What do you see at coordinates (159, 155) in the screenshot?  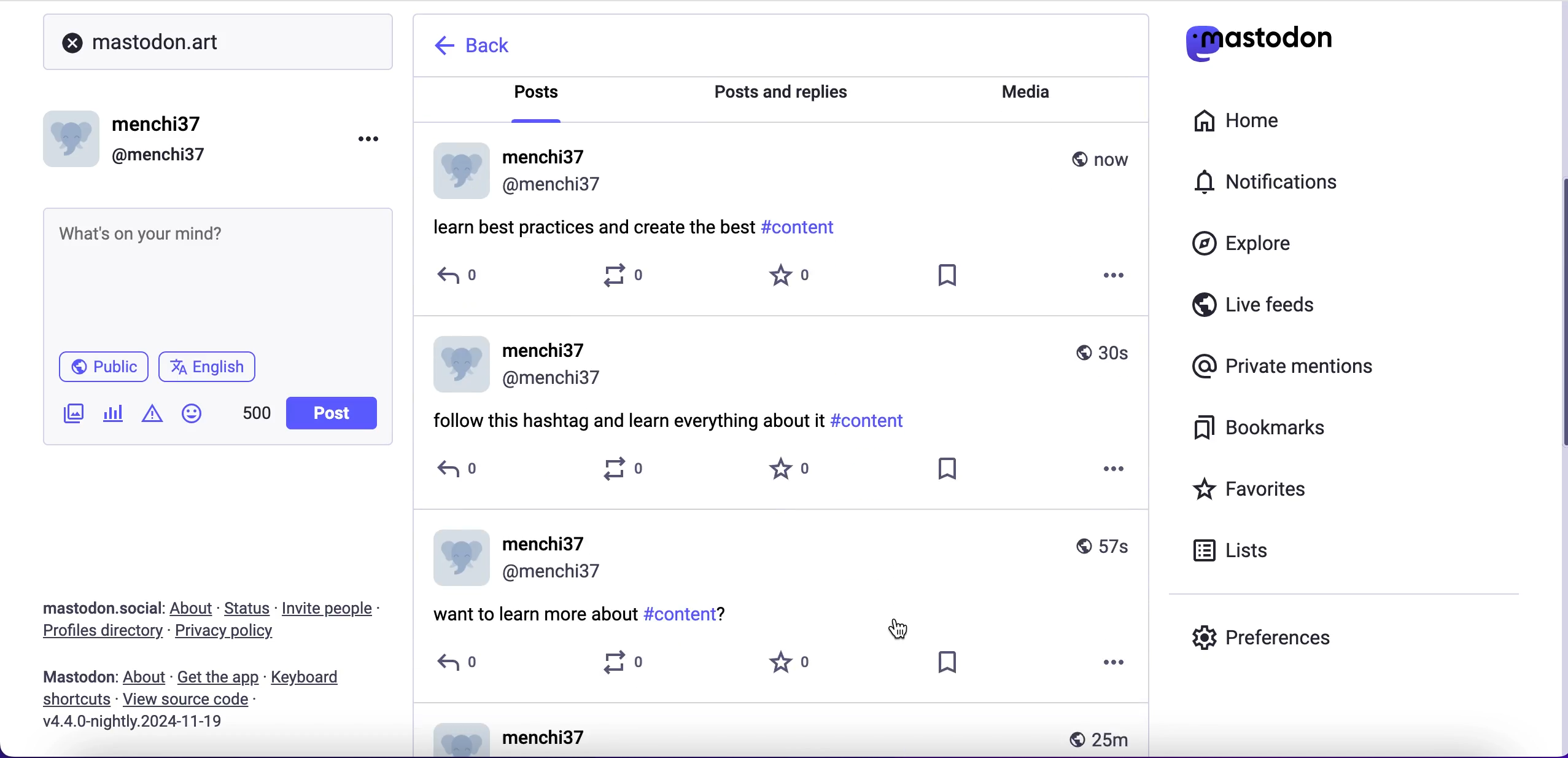 I see `@menchi37` at bounding box center [159, 155].